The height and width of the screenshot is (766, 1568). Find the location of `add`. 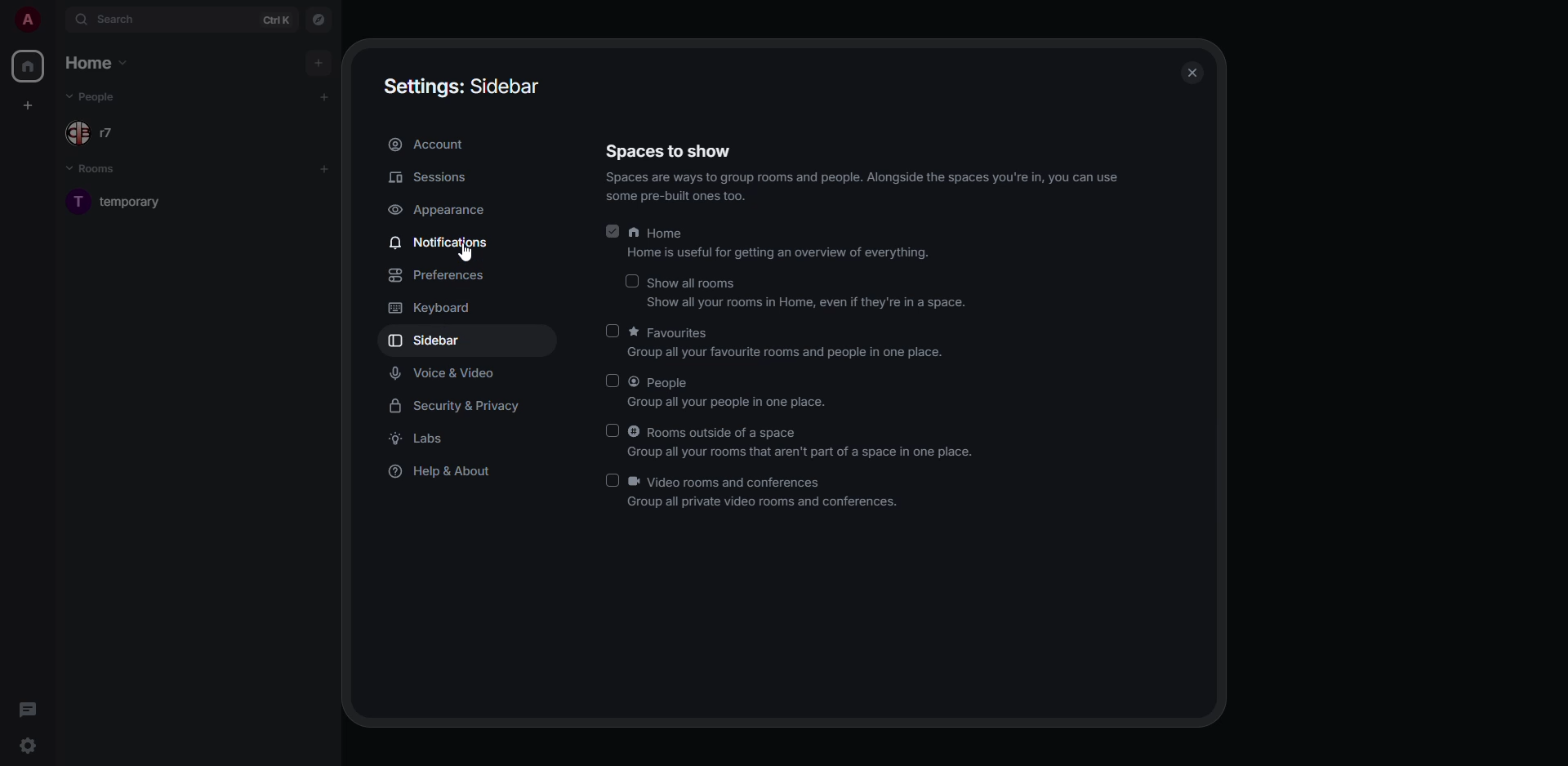

add is located at coordinates (322, 98).